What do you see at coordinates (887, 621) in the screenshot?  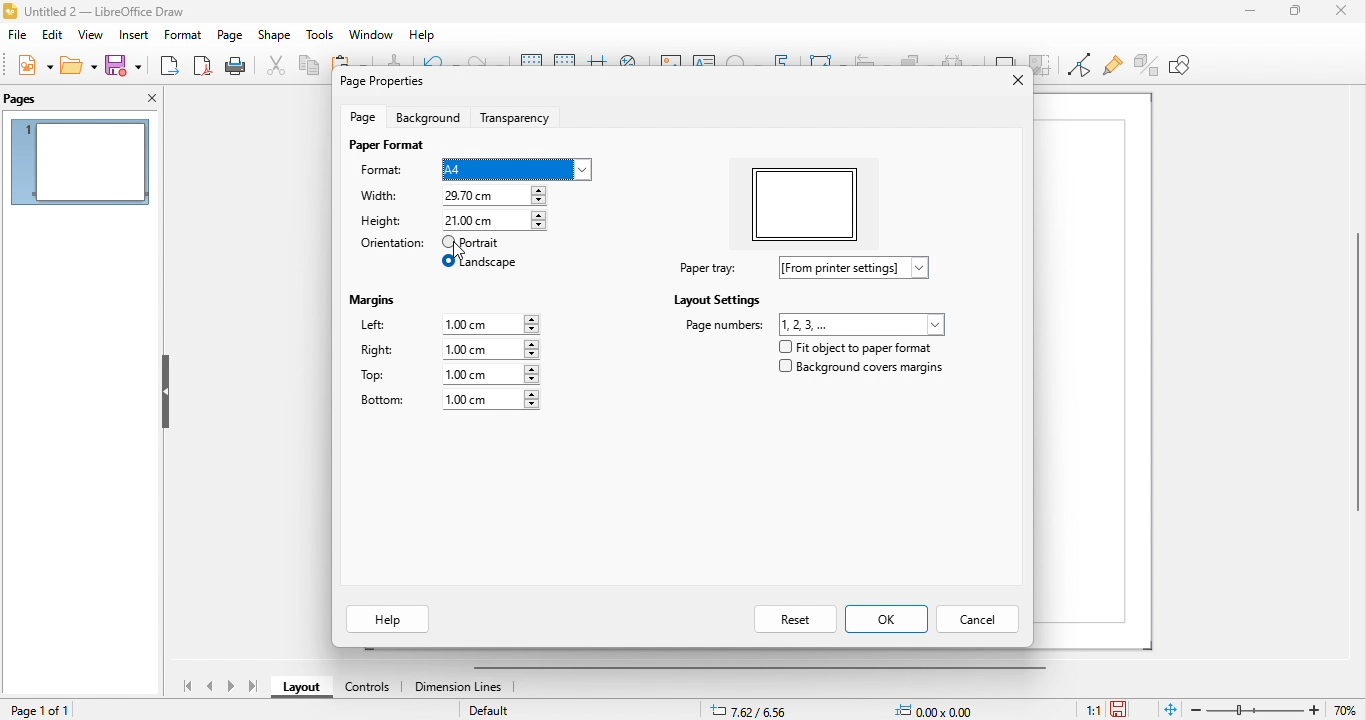 I see `ok` at bounding box center [887, 621].